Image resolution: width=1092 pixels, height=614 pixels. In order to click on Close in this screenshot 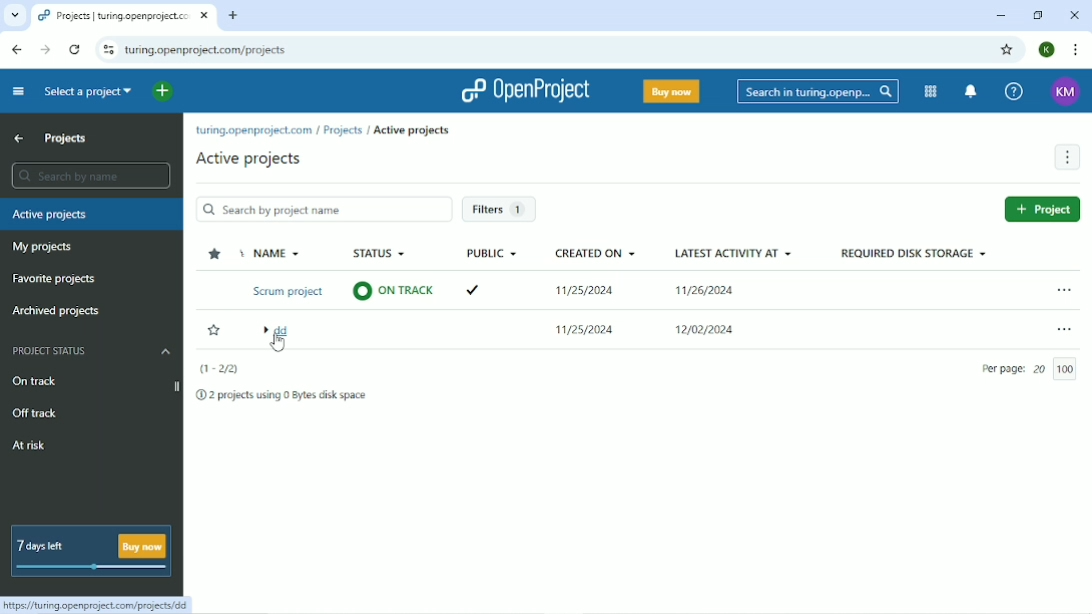, I will do `click(1072, 15)`.